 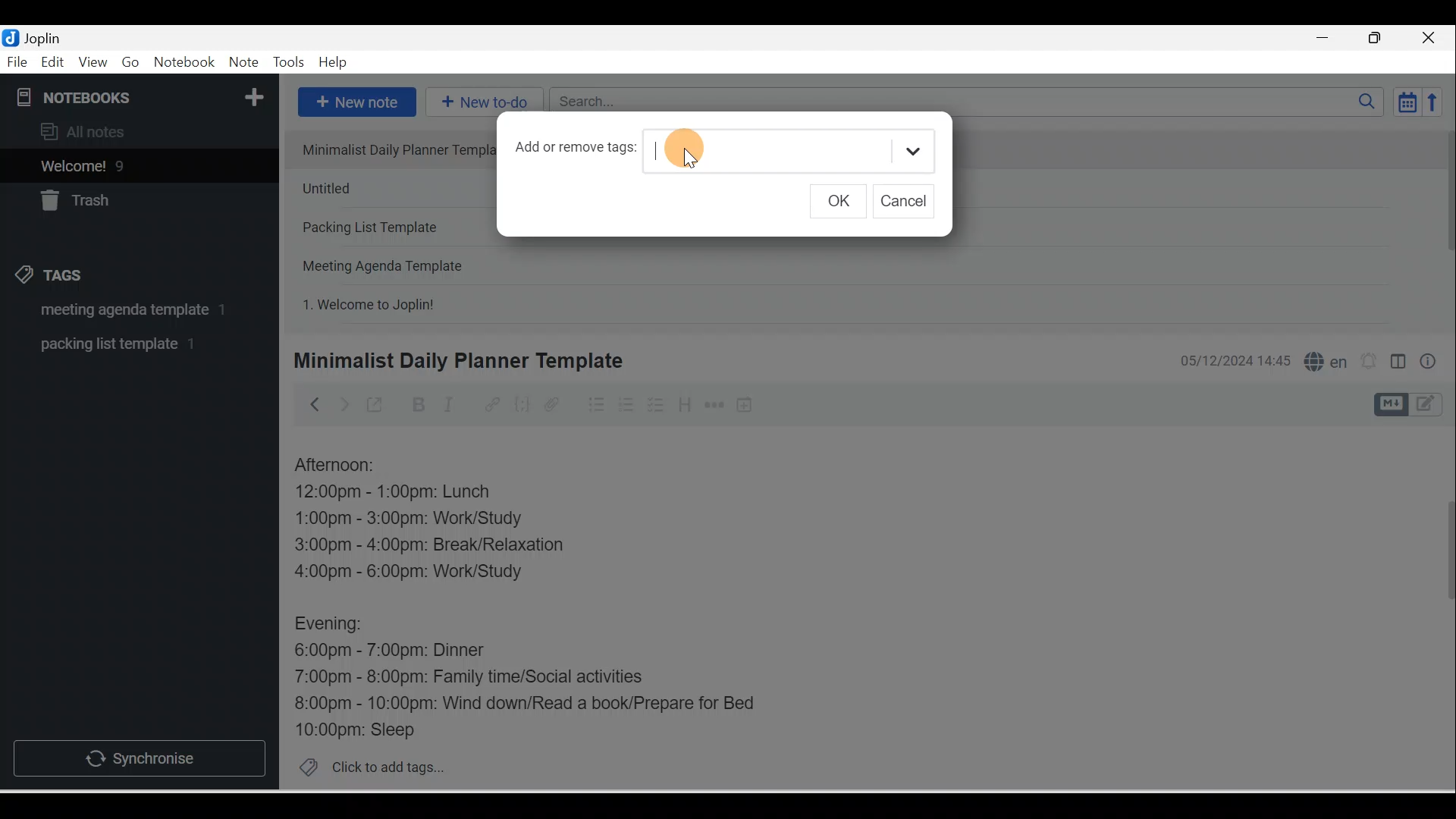 What do you see at coordinates (334, 63) in the screenshot?
I see `Help` at bounding box center [334, 63].